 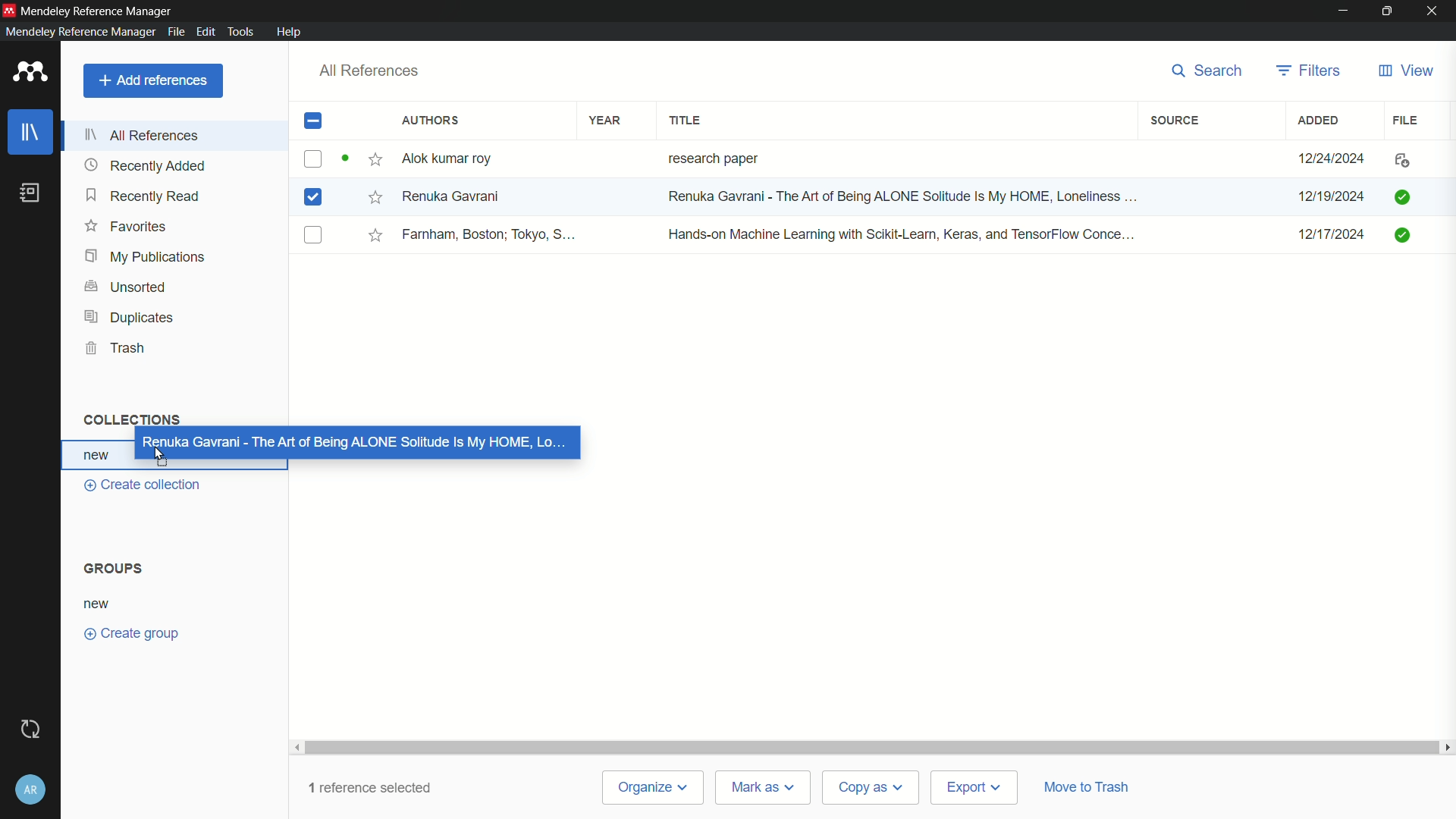 I want to click on Checkbox, so click(x=311, y=199).